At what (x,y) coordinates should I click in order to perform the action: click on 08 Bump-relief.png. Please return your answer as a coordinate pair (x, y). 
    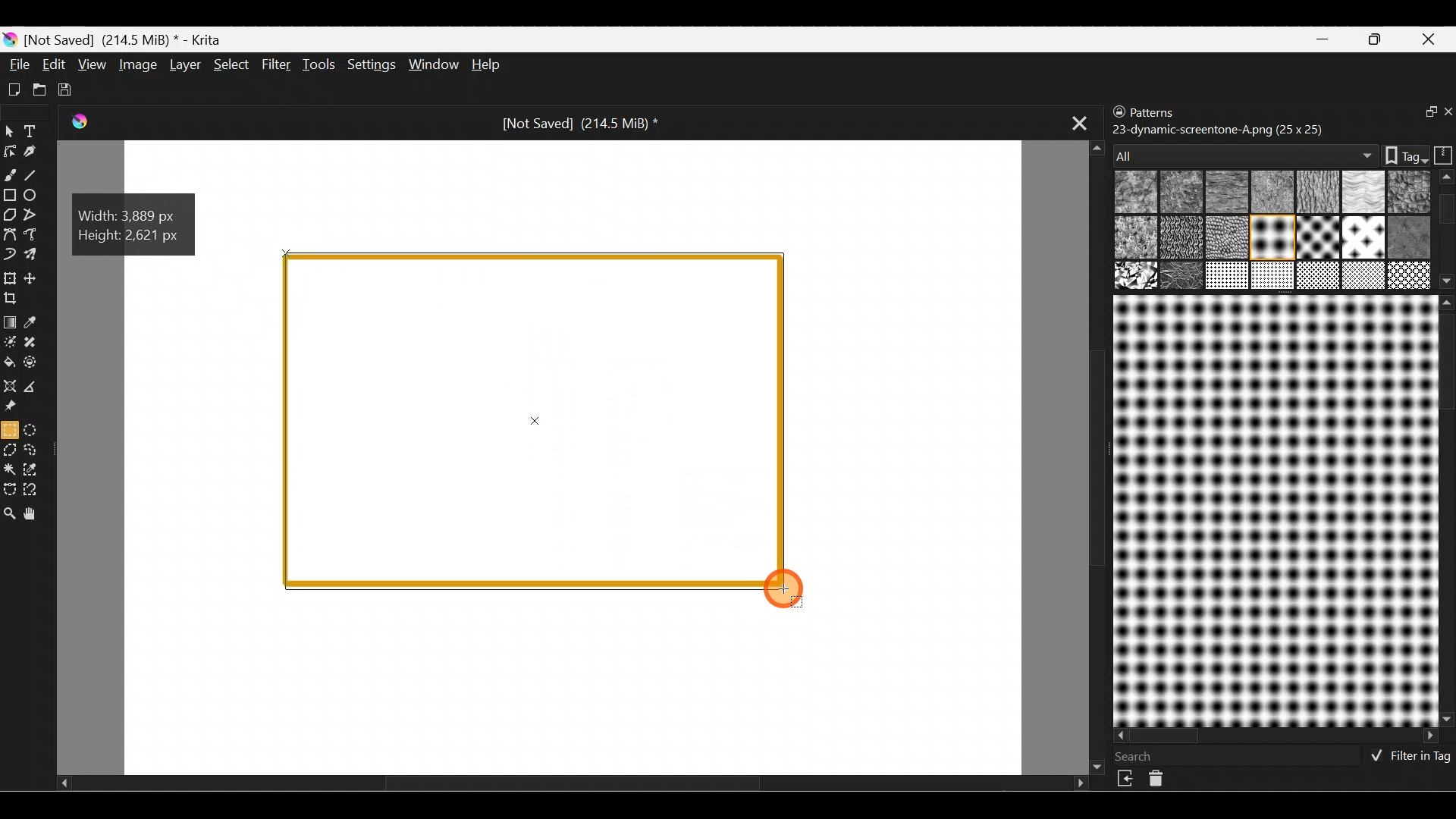
    Looking at the image, I should click on (1136, 238).